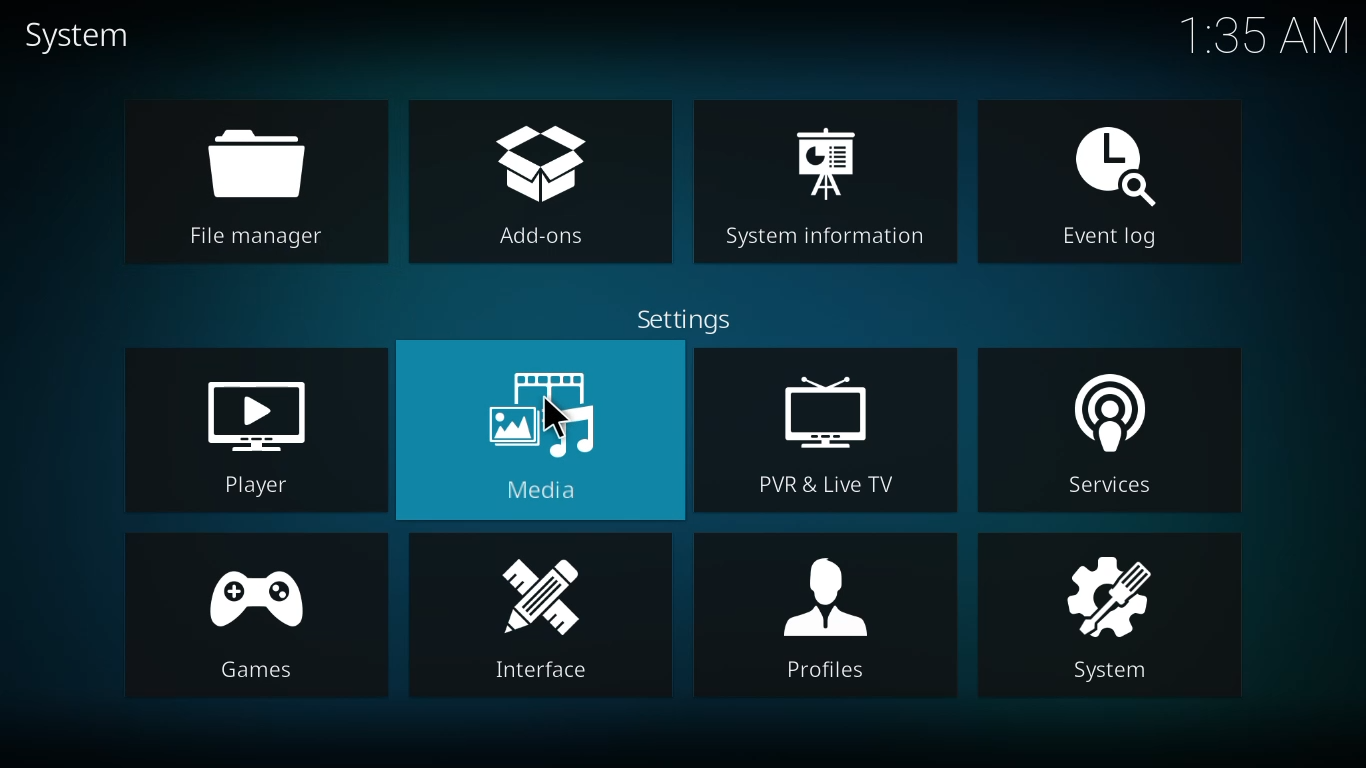  What do you see at coordinates (257, 617) in the screenshot?
I see `games` at bounding box center [257, 617].